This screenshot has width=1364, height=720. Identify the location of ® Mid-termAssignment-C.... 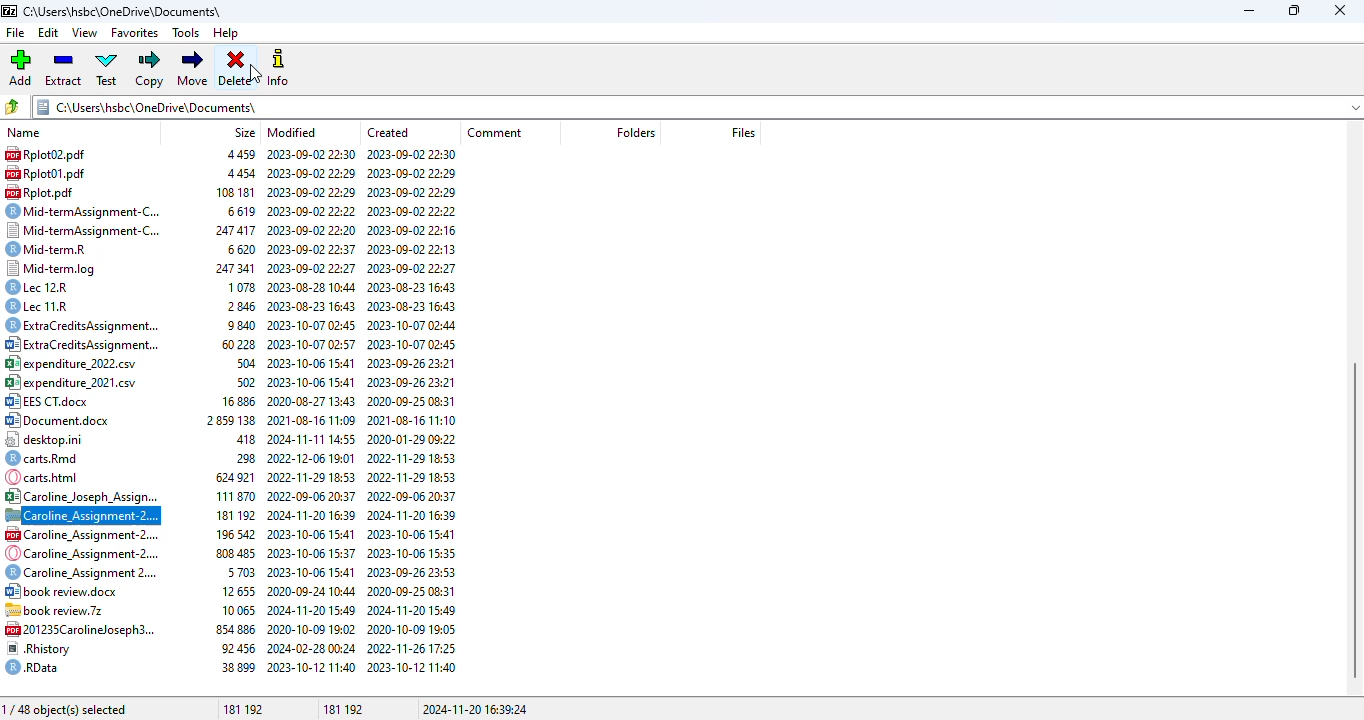
(90, 210).